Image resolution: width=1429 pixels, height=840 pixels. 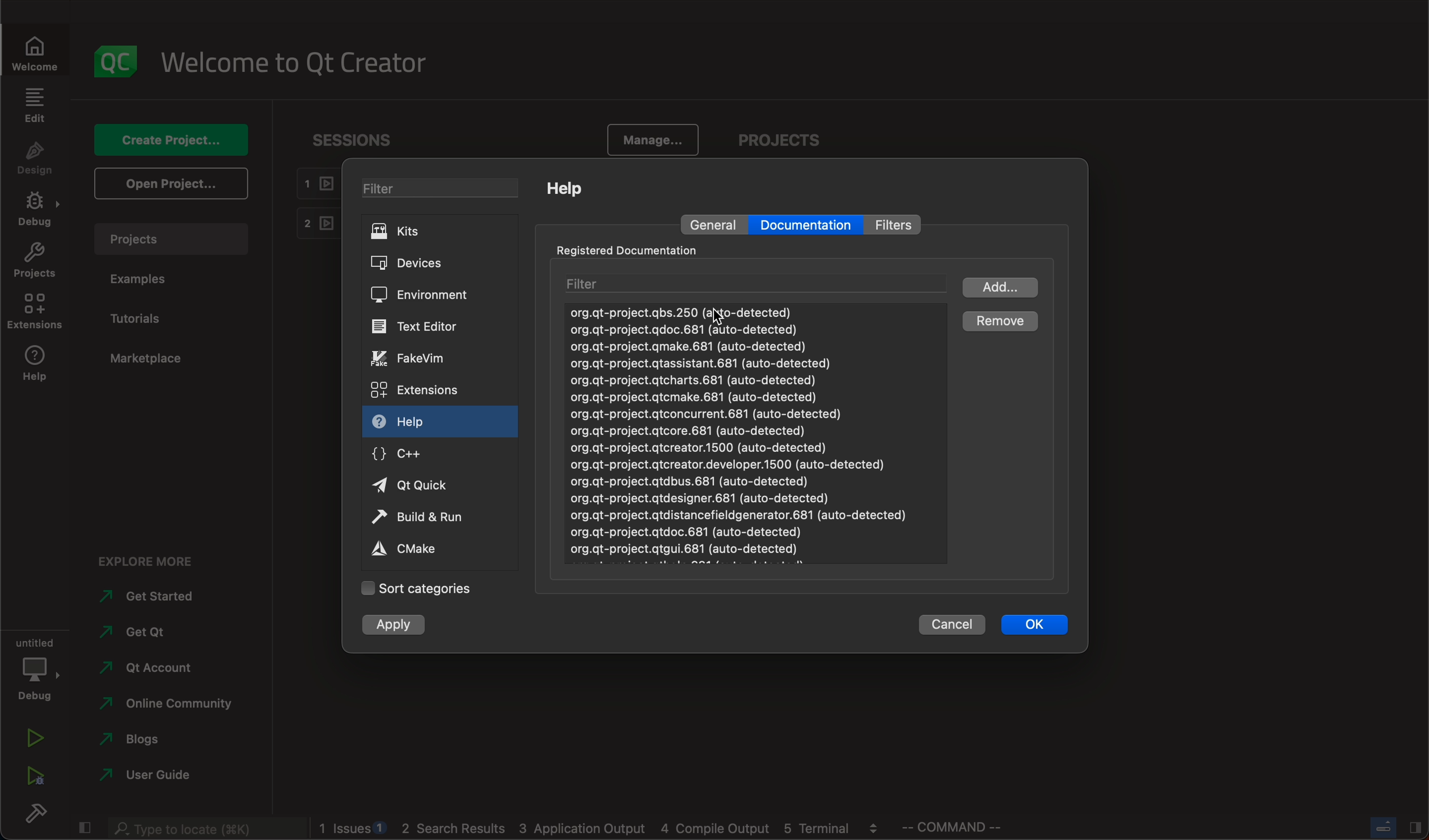 I want to click on command, so click(x=969, y=828).